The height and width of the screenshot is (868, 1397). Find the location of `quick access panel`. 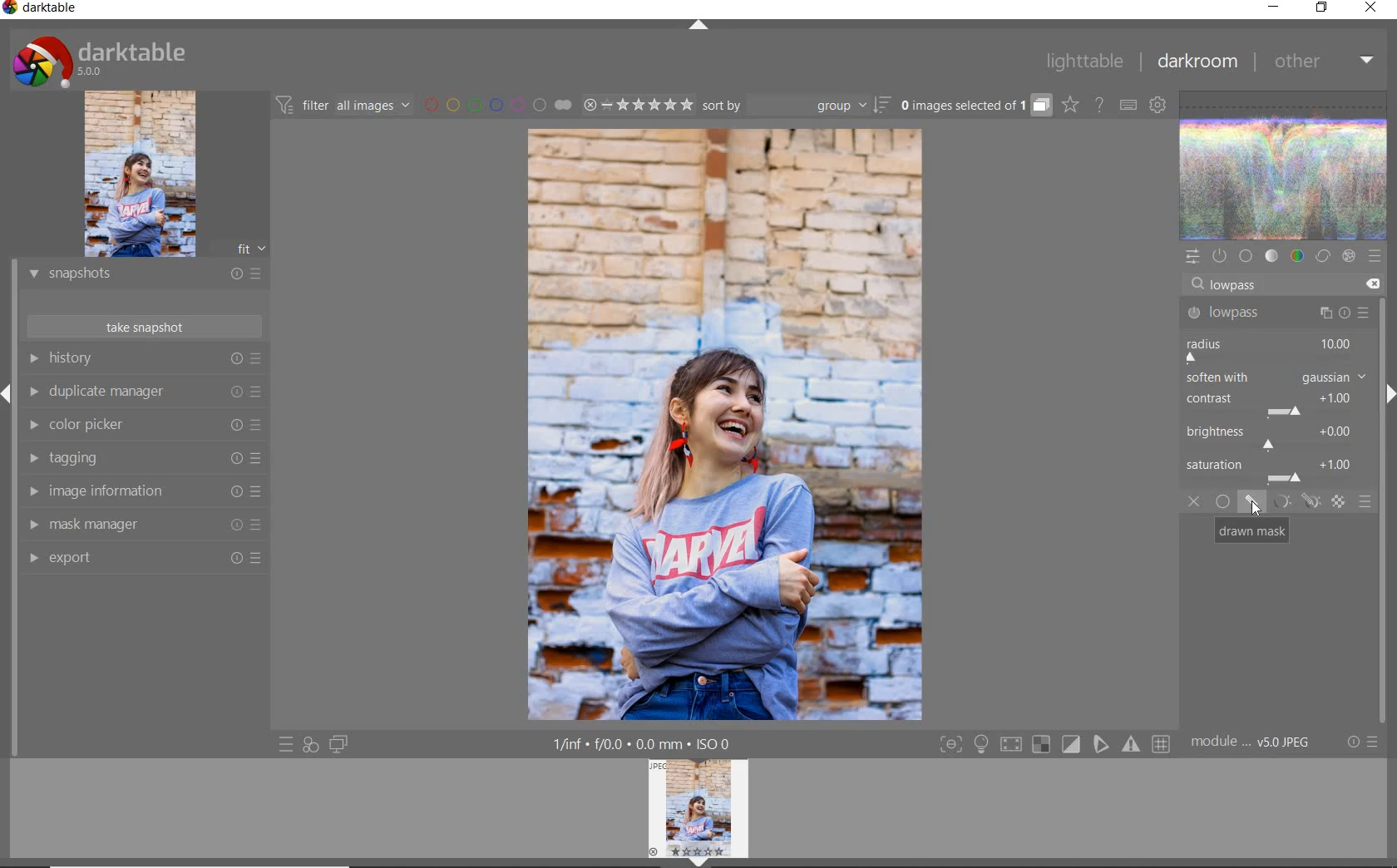

quick access panel is located at coordinates (1194, 254).